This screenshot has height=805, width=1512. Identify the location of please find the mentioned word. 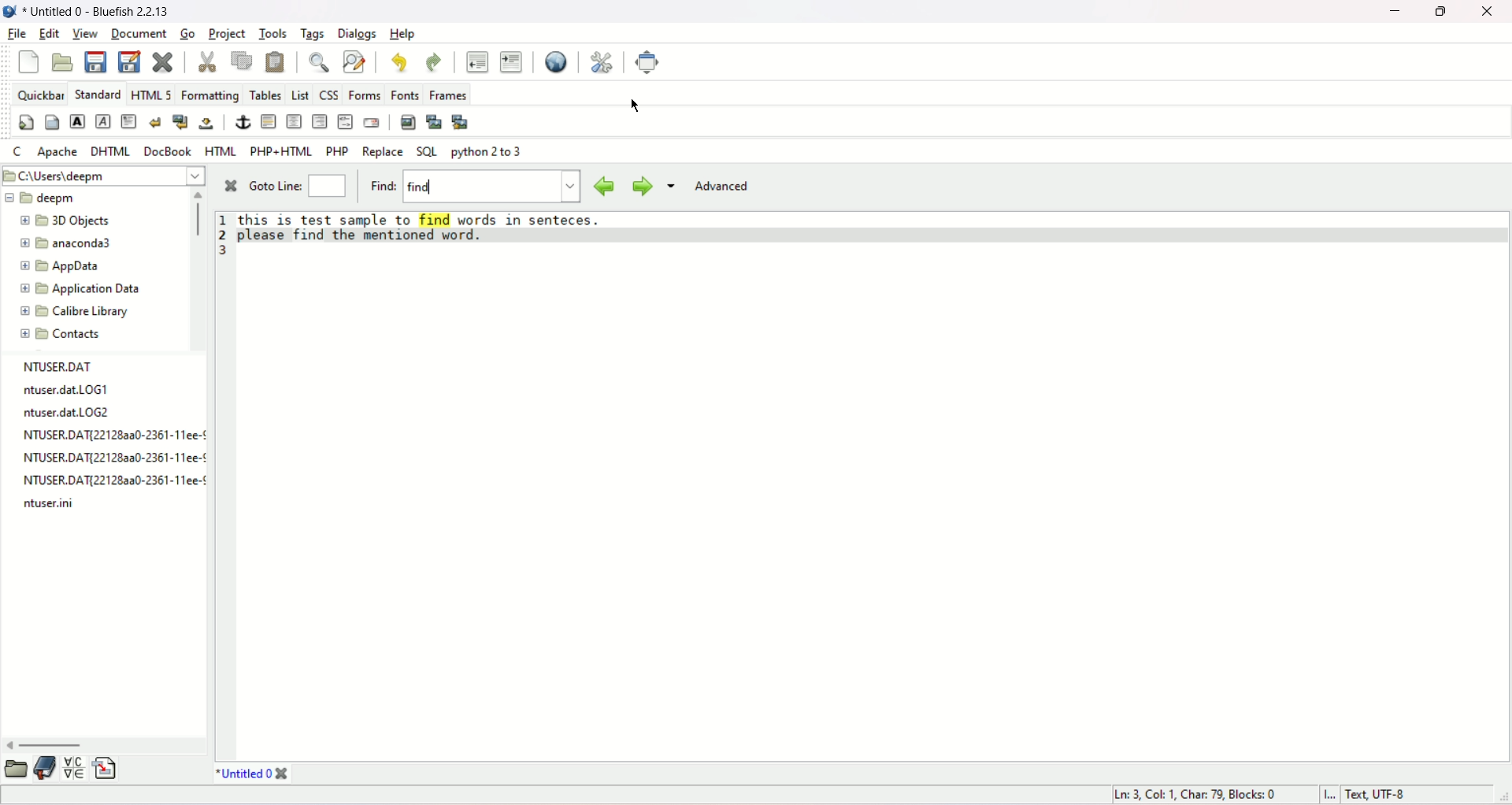
(358, 234).